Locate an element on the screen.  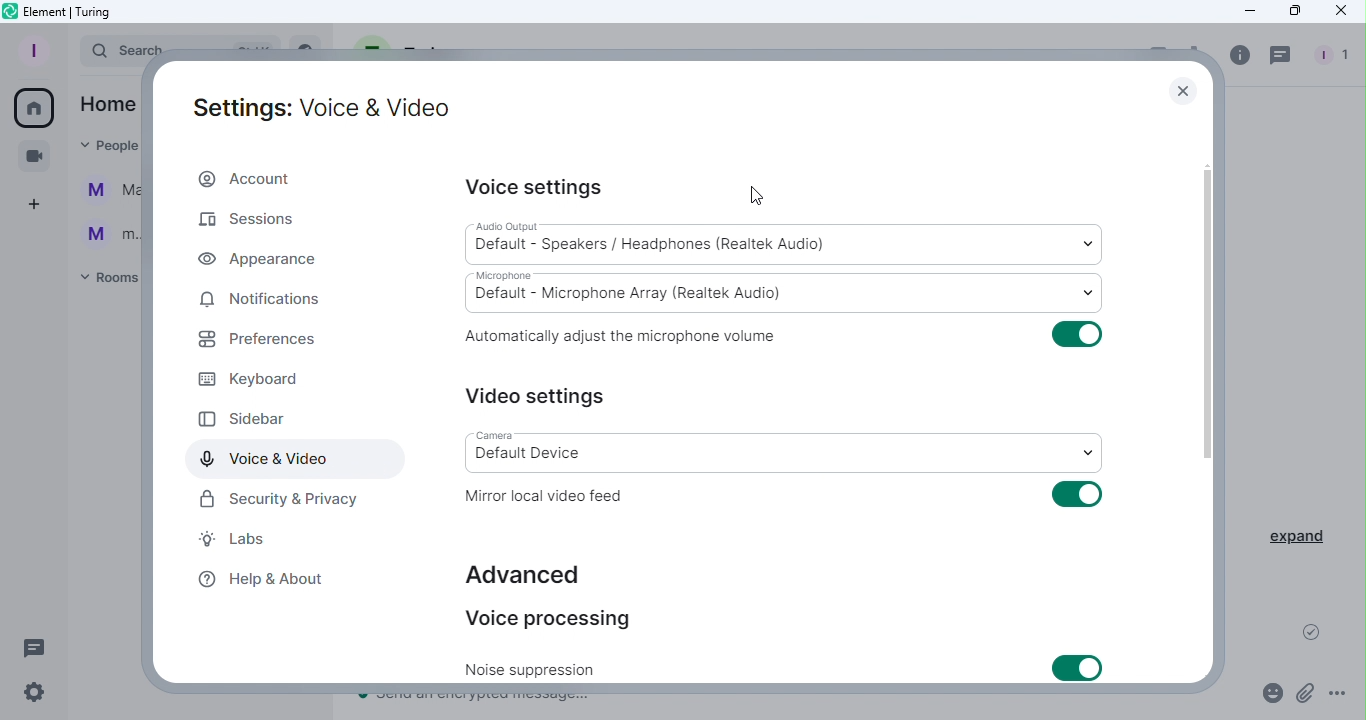
Create a space is located at coordinates (36, 202).